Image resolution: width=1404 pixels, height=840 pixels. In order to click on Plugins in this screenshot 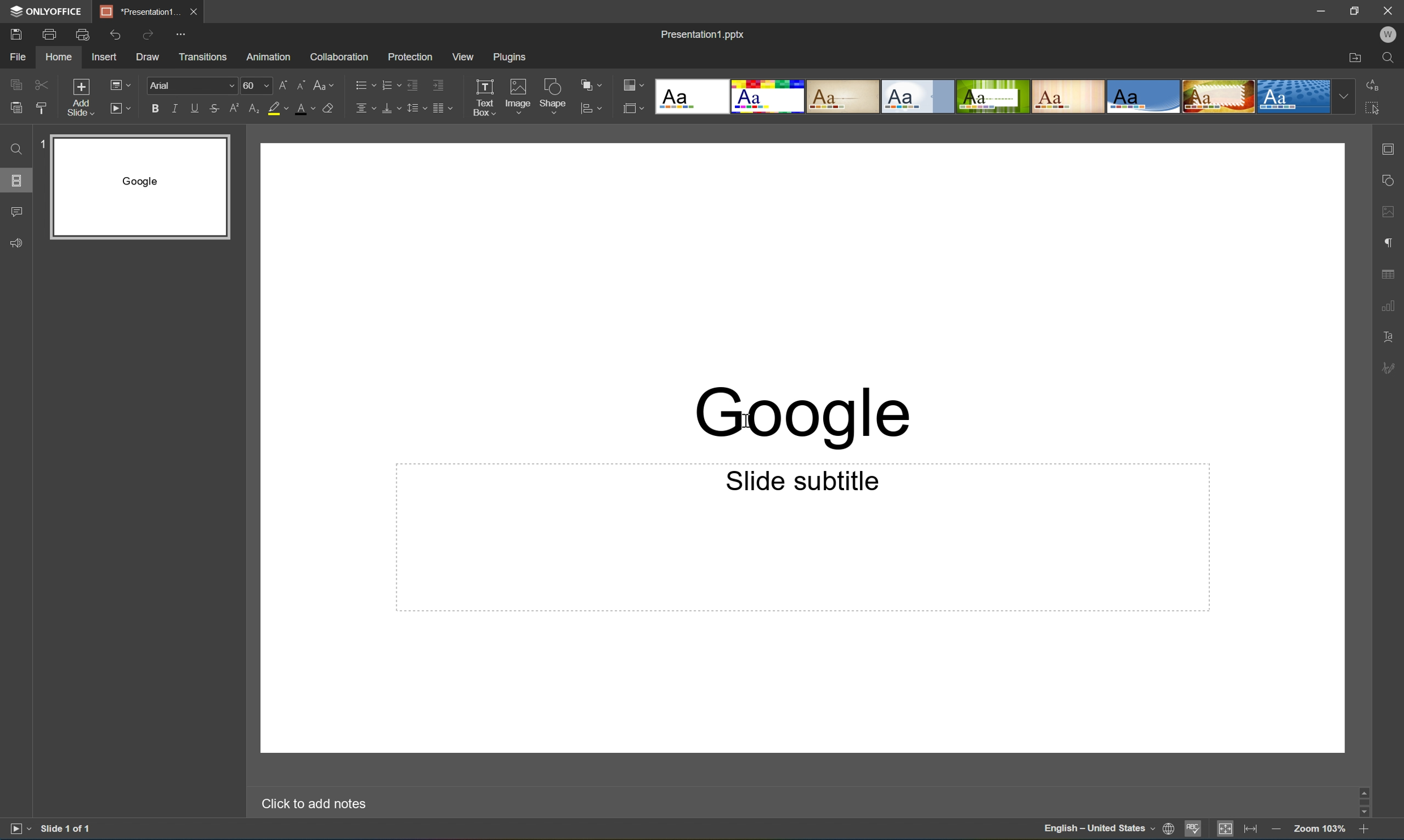, I will do `click(512, 58)`.